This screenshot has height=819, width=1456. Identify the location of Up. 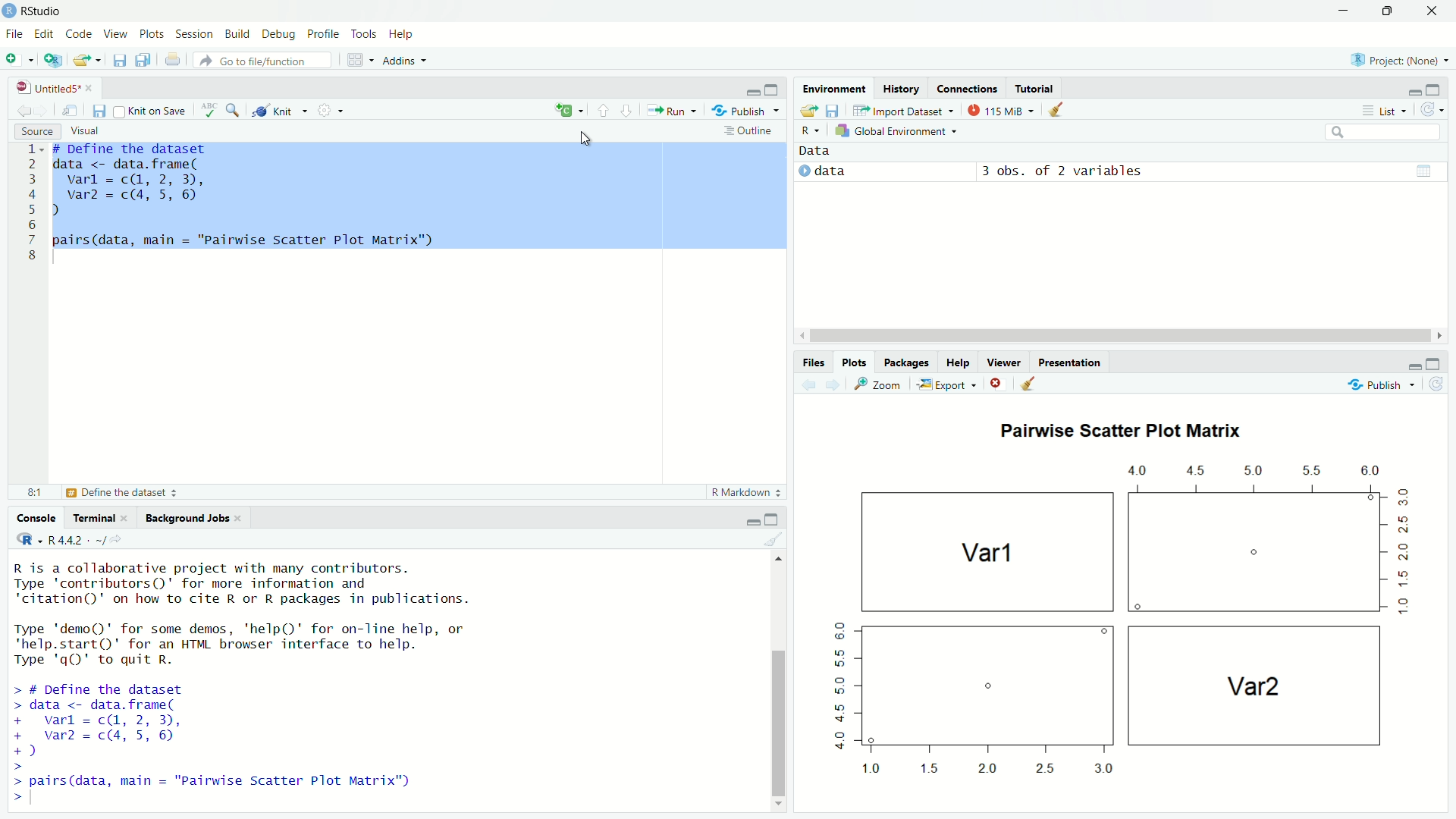
(778, 559).